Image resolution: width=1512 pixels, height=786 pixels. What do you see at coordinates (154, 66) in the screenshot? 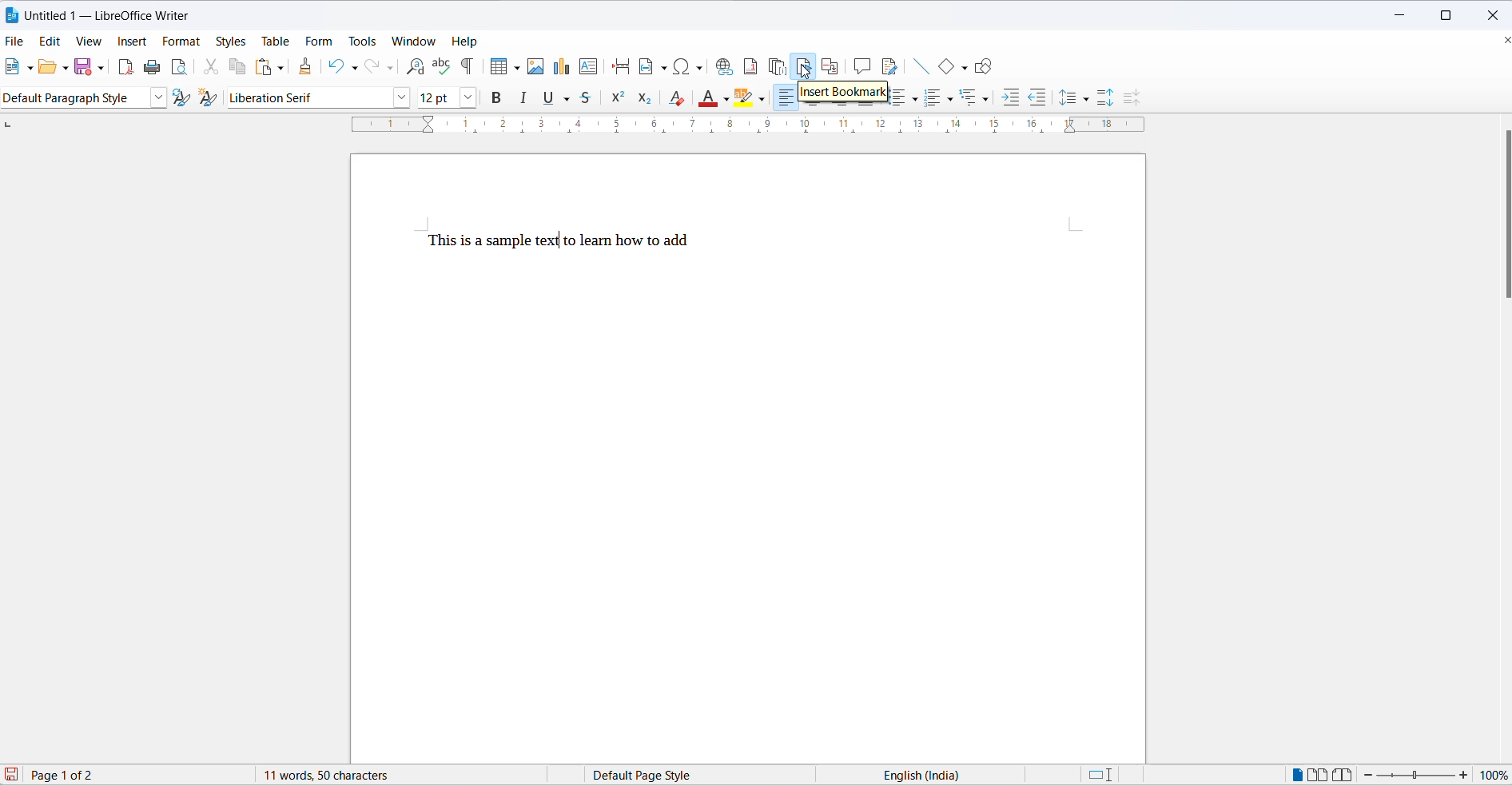
I see `print` at bounding box center [154, 66].